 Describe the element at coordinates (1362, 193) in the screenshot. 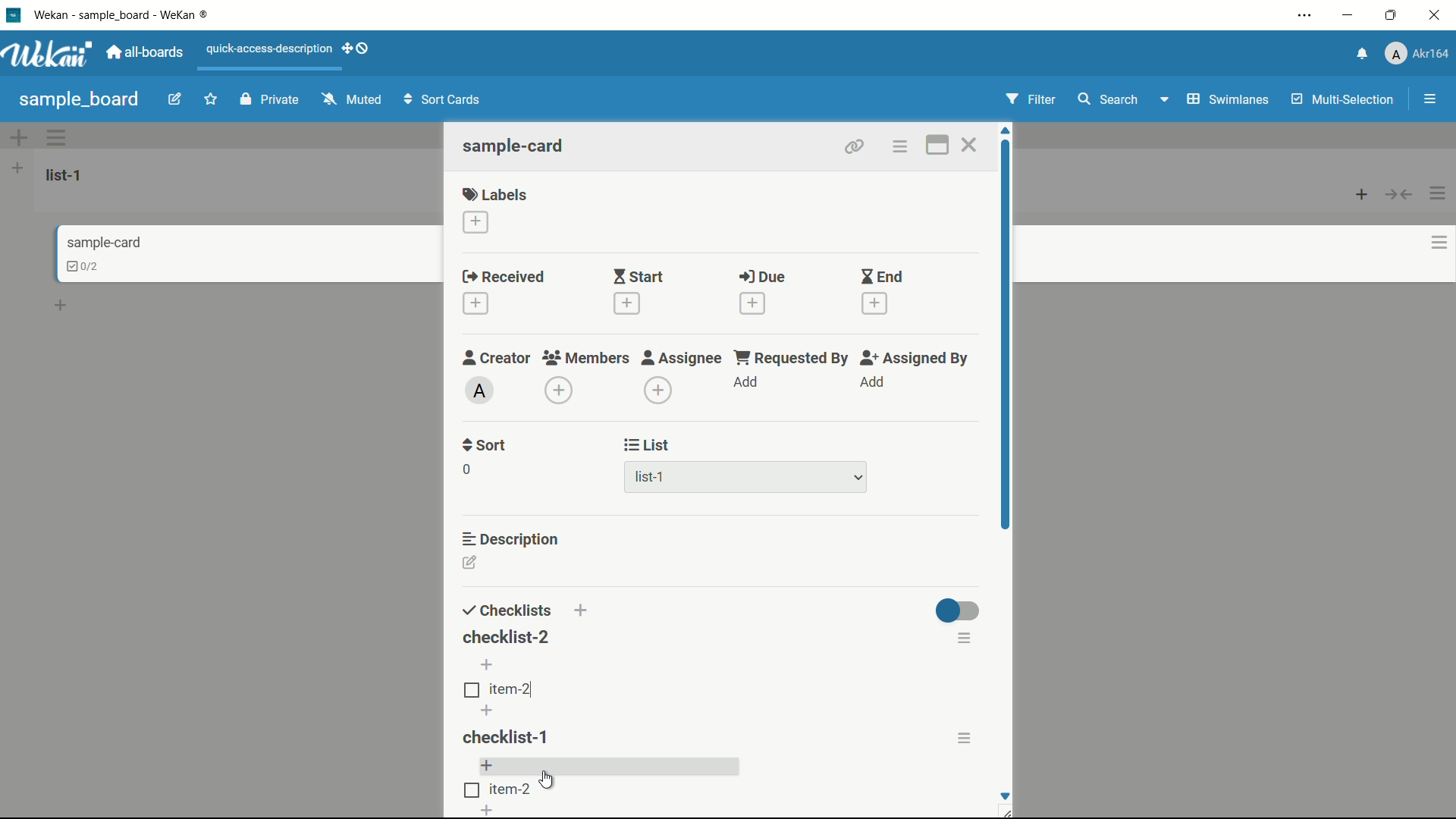

I see `add card` at that location.